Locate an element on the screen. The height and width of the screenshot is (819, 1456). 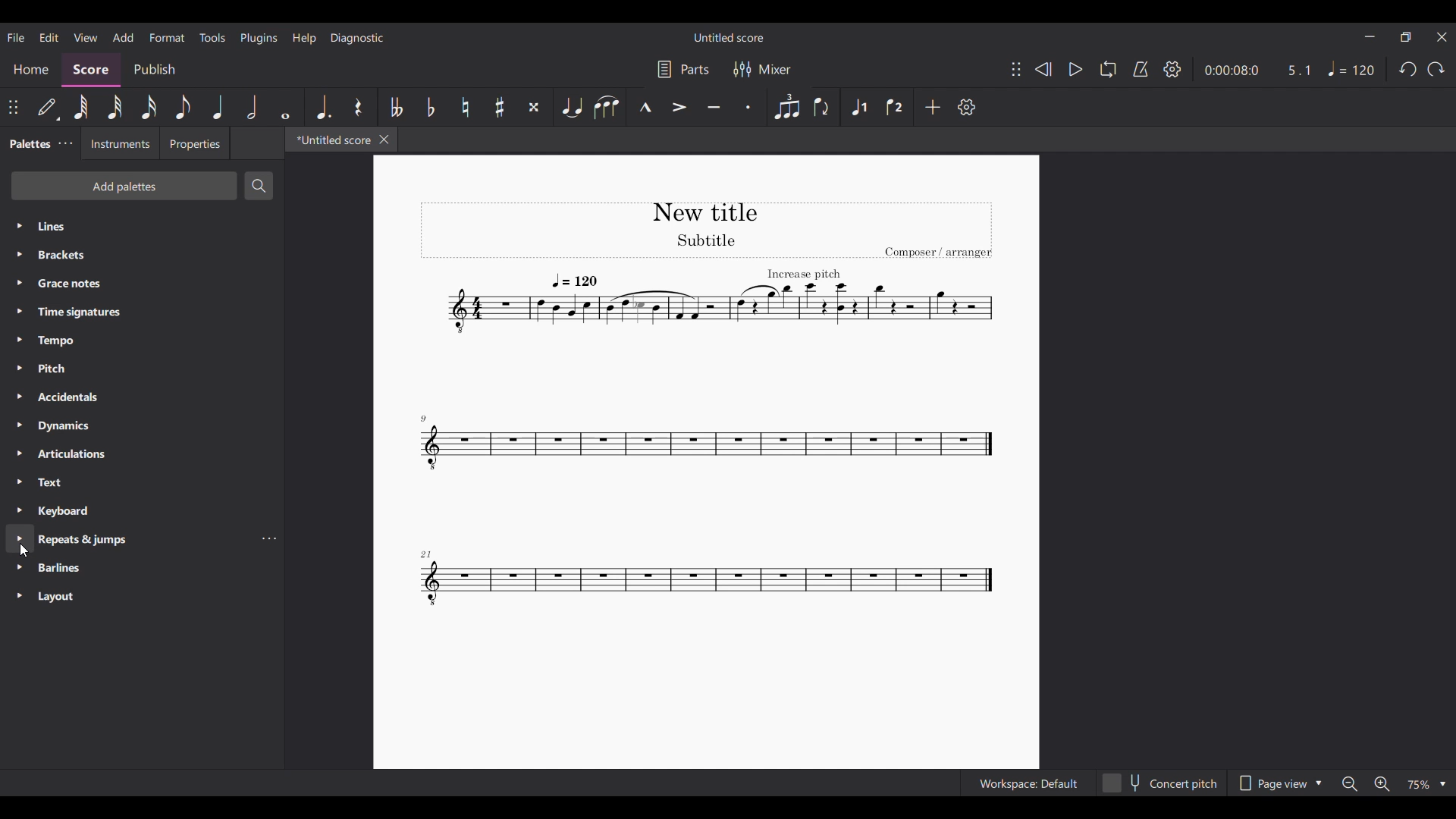
Publish section is located at coordinates (155, 71).